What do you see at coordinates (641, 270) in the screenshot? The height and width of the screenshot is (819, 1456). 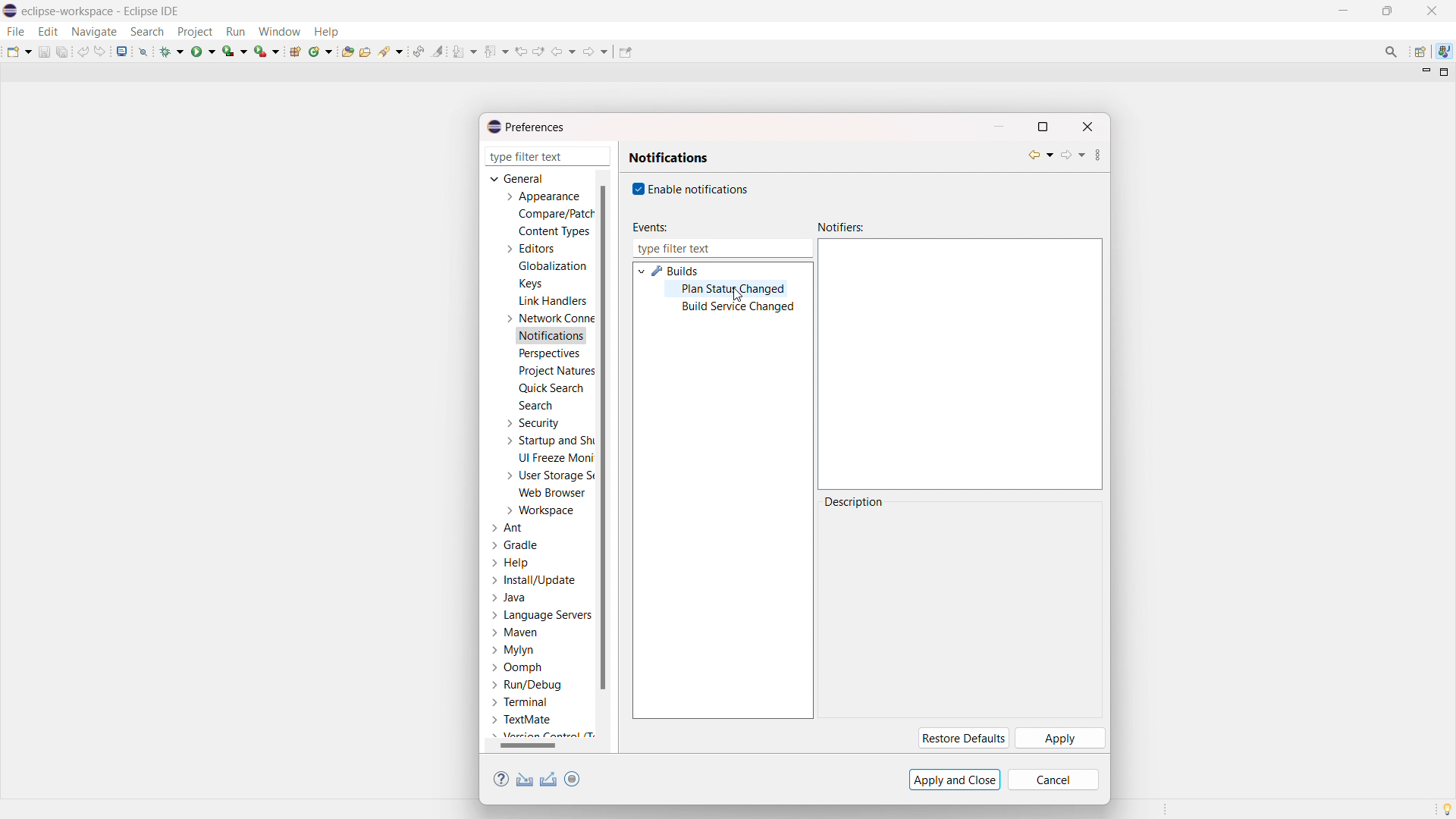 I see `expand builds` at bounding box center [641, 270].